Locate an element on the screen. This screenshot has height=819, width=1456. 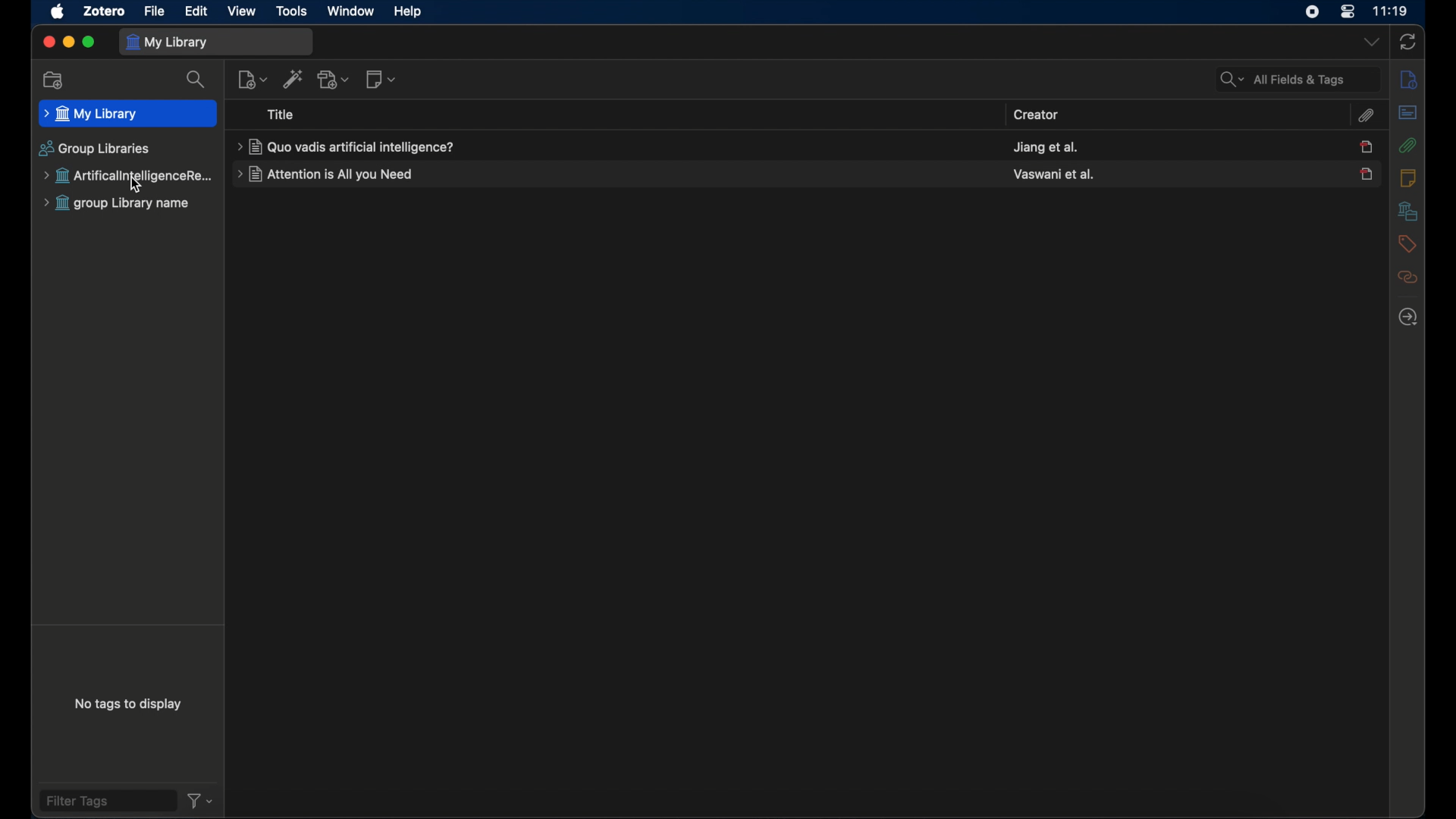
sync is located at coordinates (1407, 41).